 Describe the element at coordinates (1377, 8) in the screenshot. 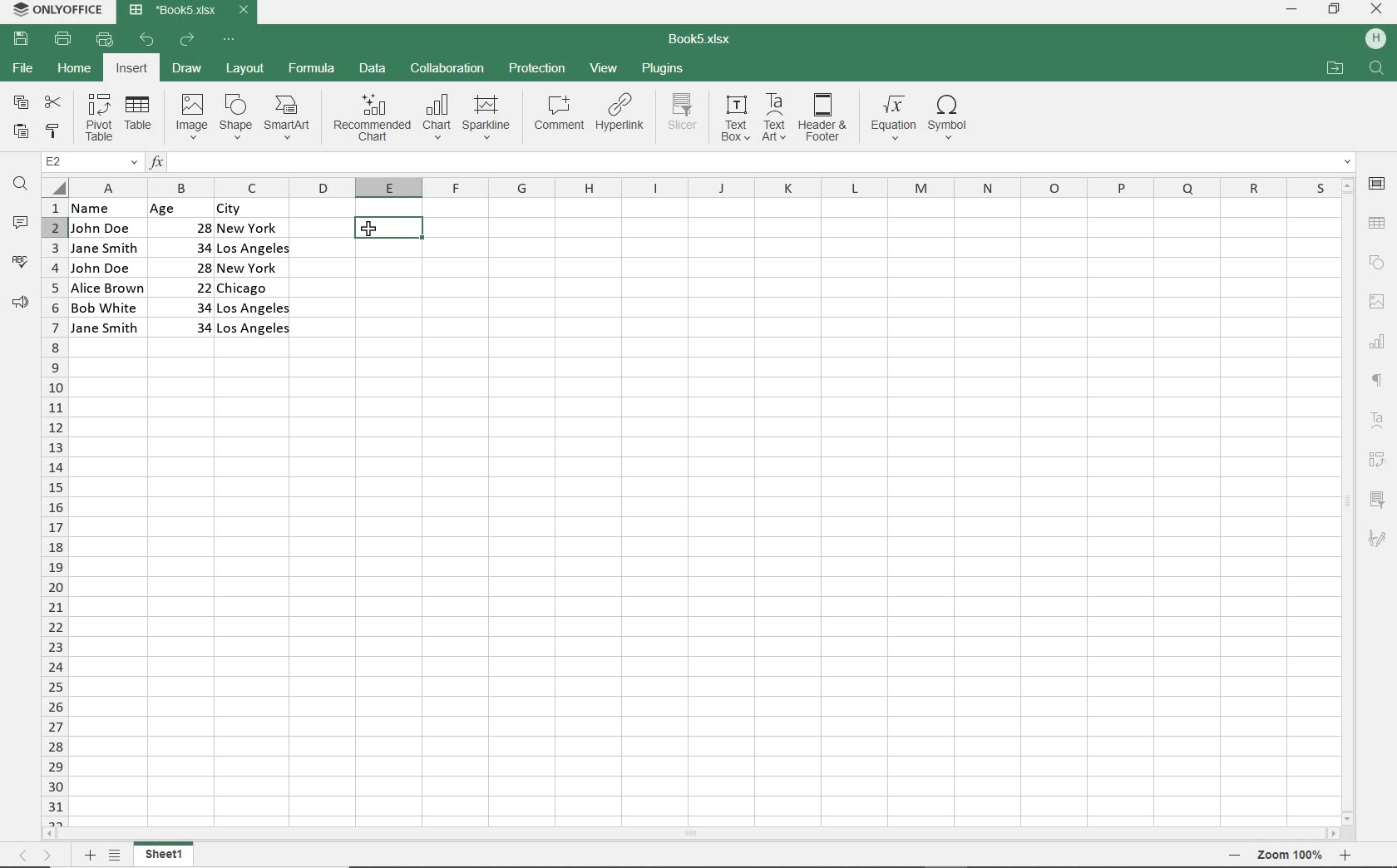

I see `CLOSE` at that location.